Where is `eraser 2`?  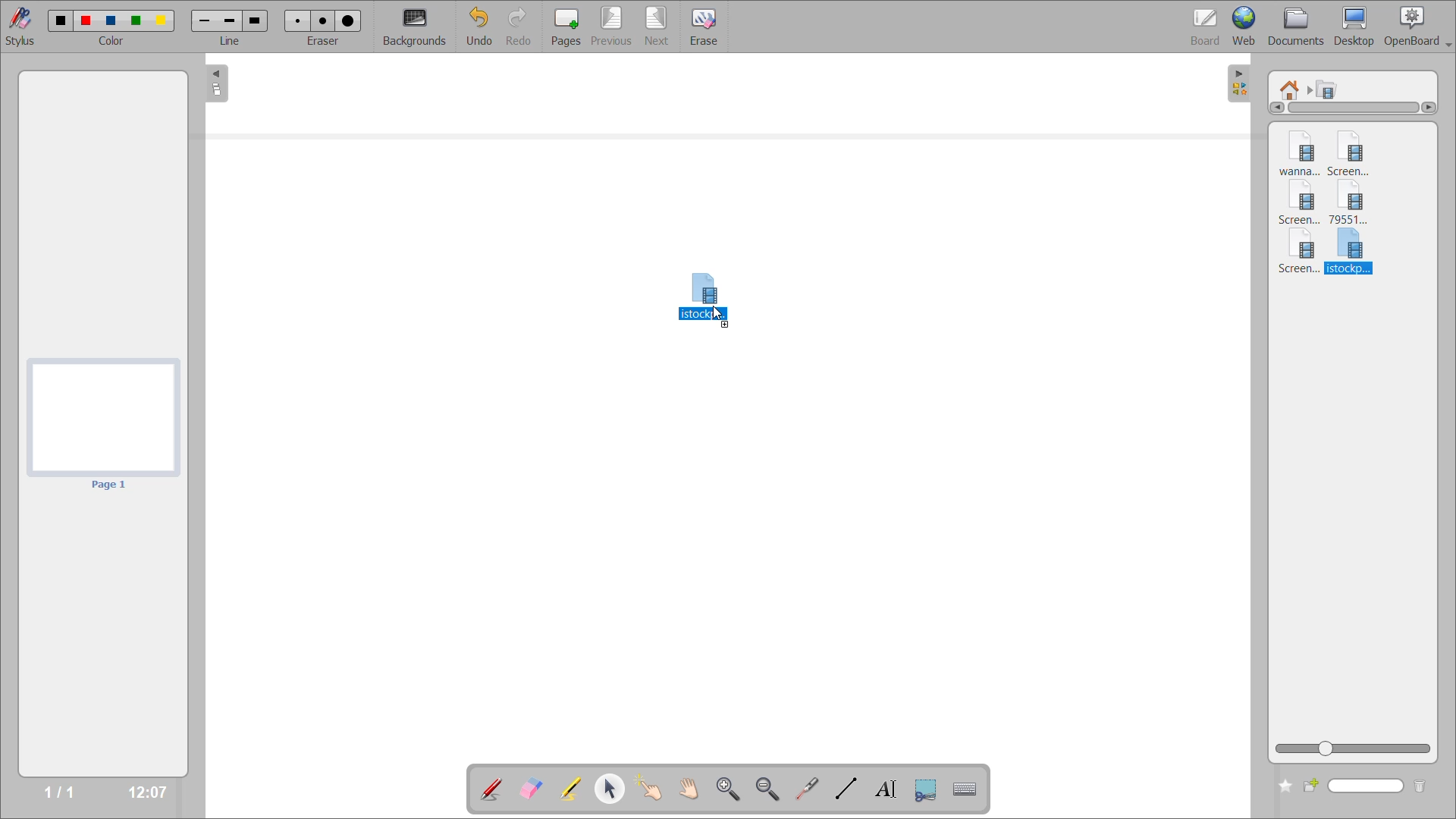 eraser 2 is located at coordinates (322, 21).